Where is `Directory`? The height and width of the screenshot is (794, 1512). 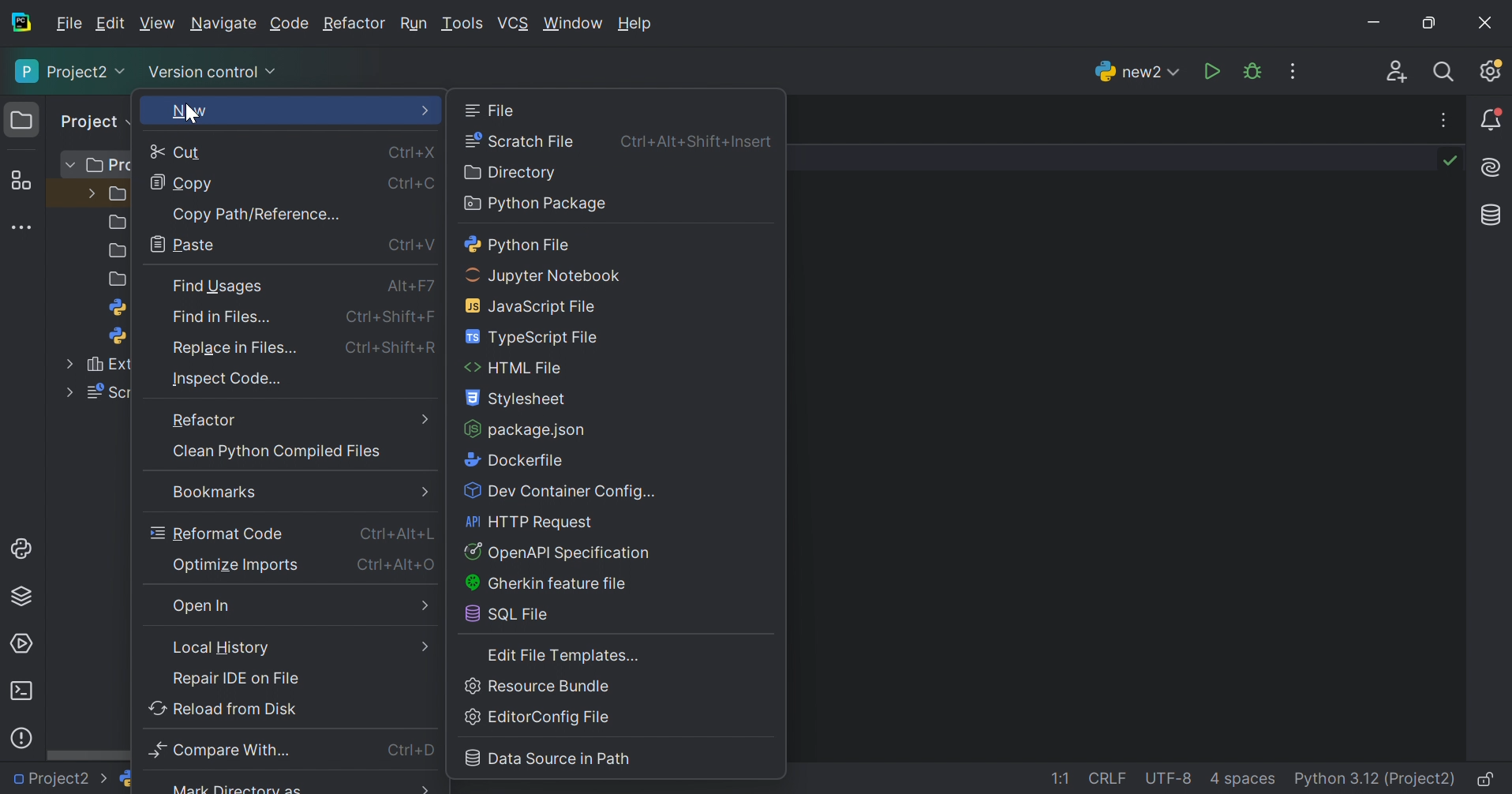 Directory is located at coordinates (512, 172).